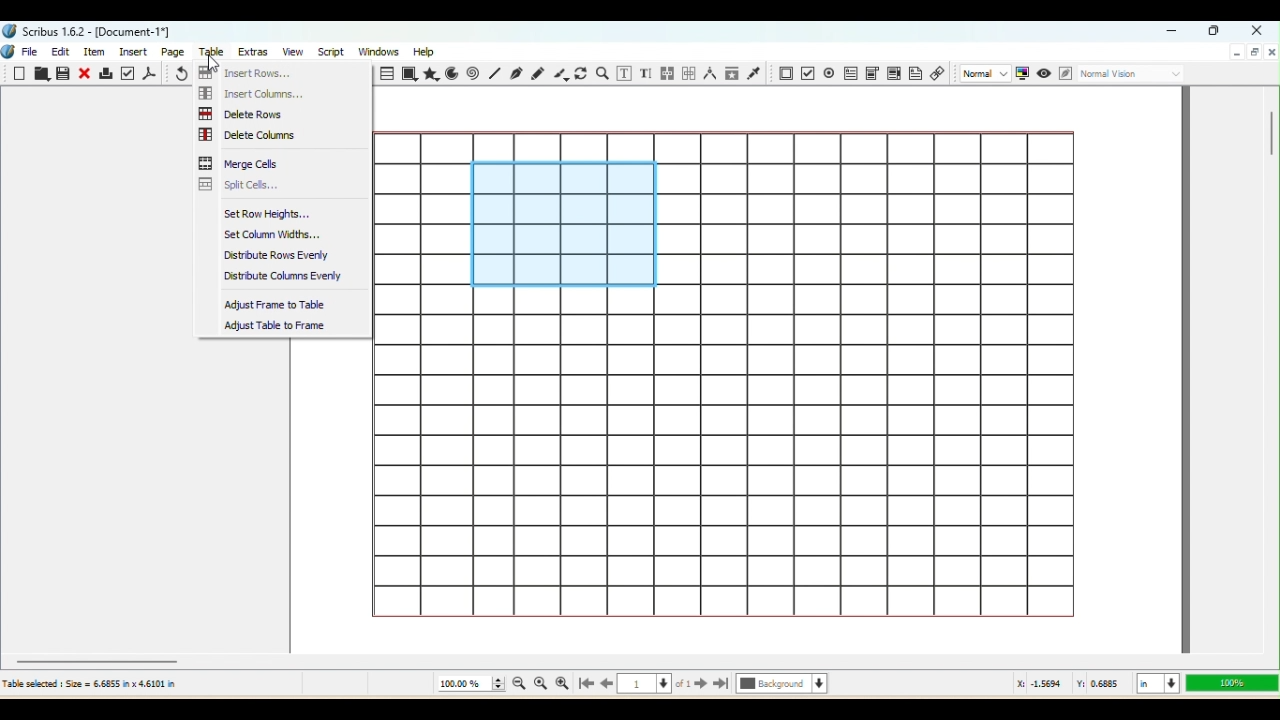  I want to click on Item, so click(98, 52).